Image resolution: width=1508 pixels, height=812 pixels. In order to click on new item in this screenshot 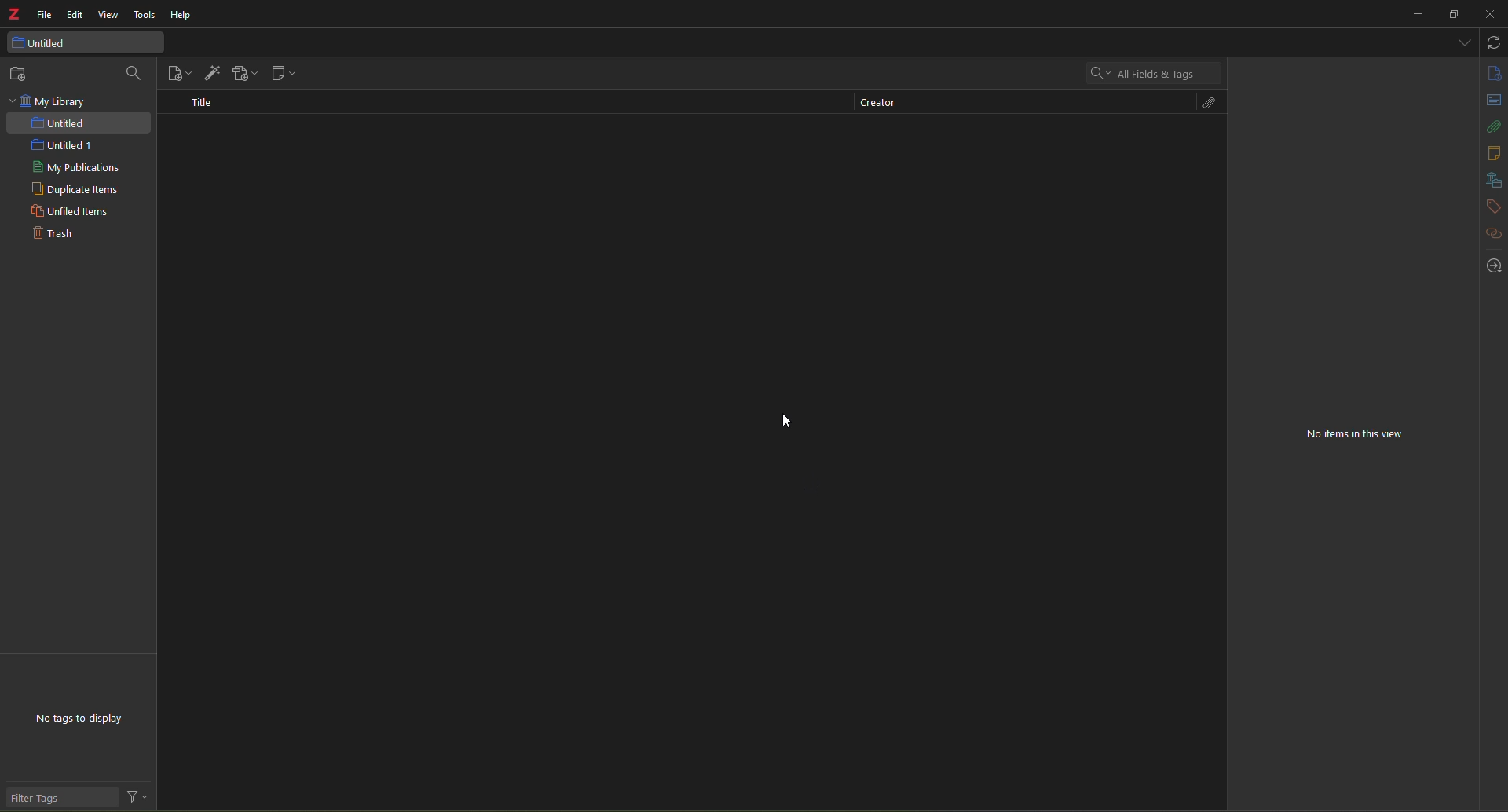, I will do `click(180, 73)`.